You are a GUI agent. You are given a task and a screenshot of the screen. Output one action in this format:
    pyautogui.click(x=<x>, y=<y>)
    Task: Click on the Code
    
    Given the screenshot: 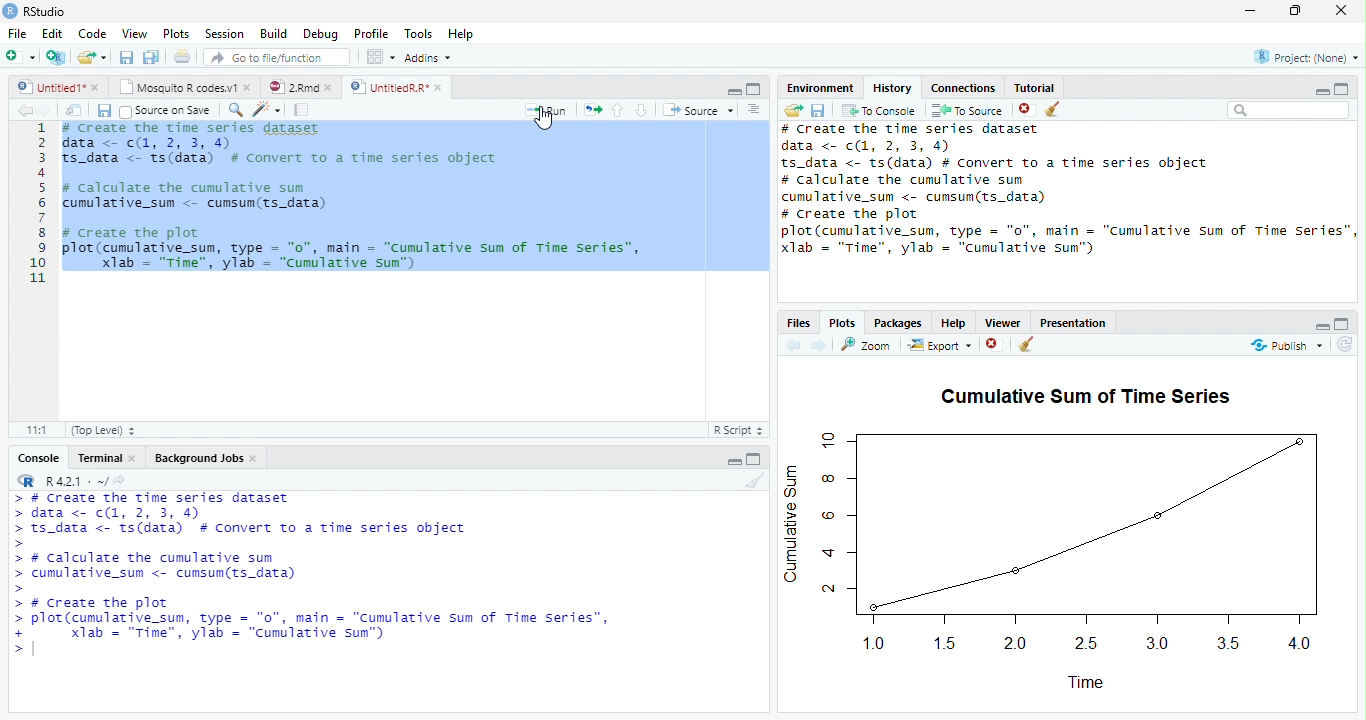 What is the action you would take?
    pyautogui.click(x=95, y=35)
    